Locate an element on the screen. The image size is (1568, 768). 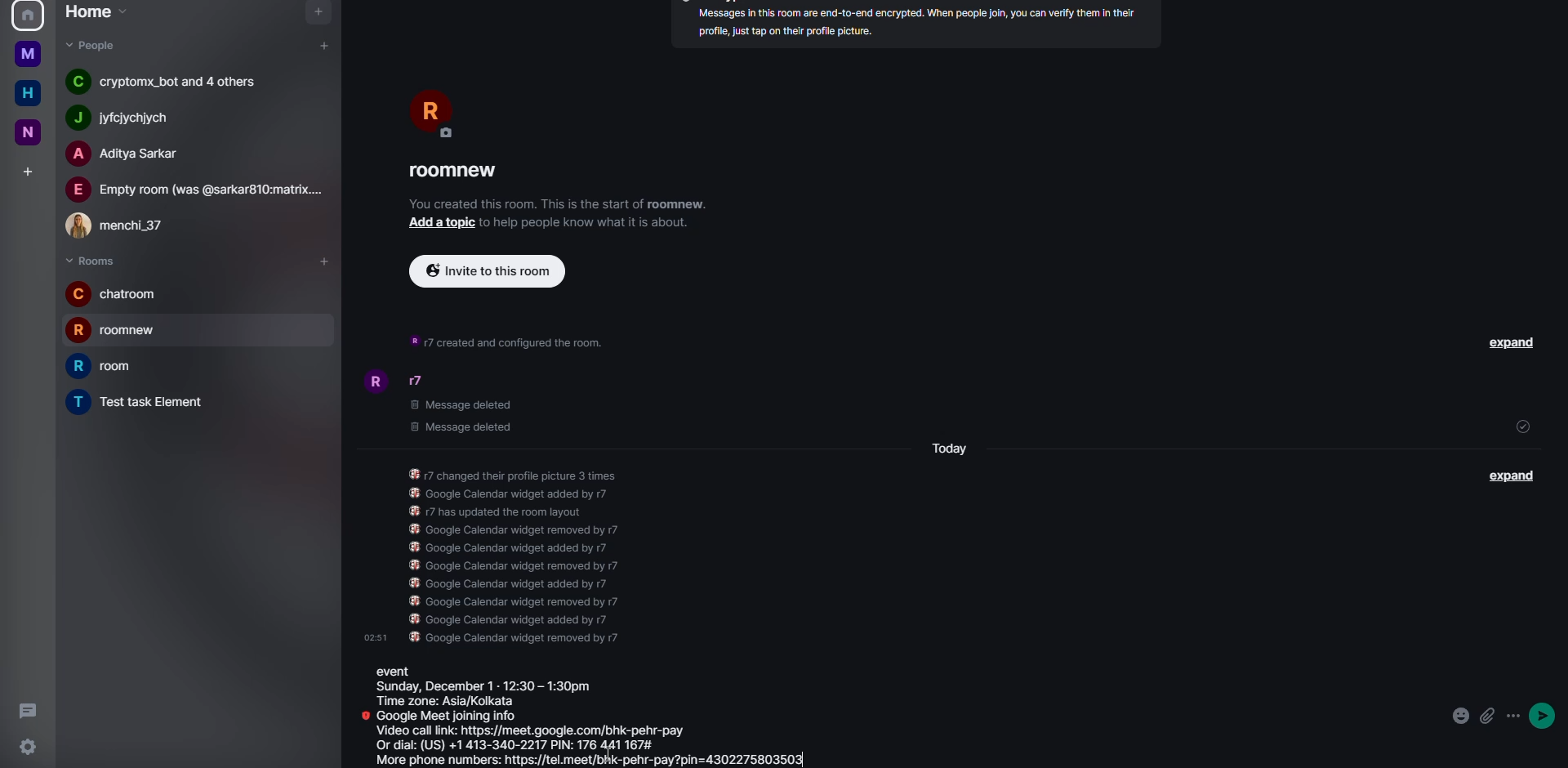
people is located at coordinates (91, 47).